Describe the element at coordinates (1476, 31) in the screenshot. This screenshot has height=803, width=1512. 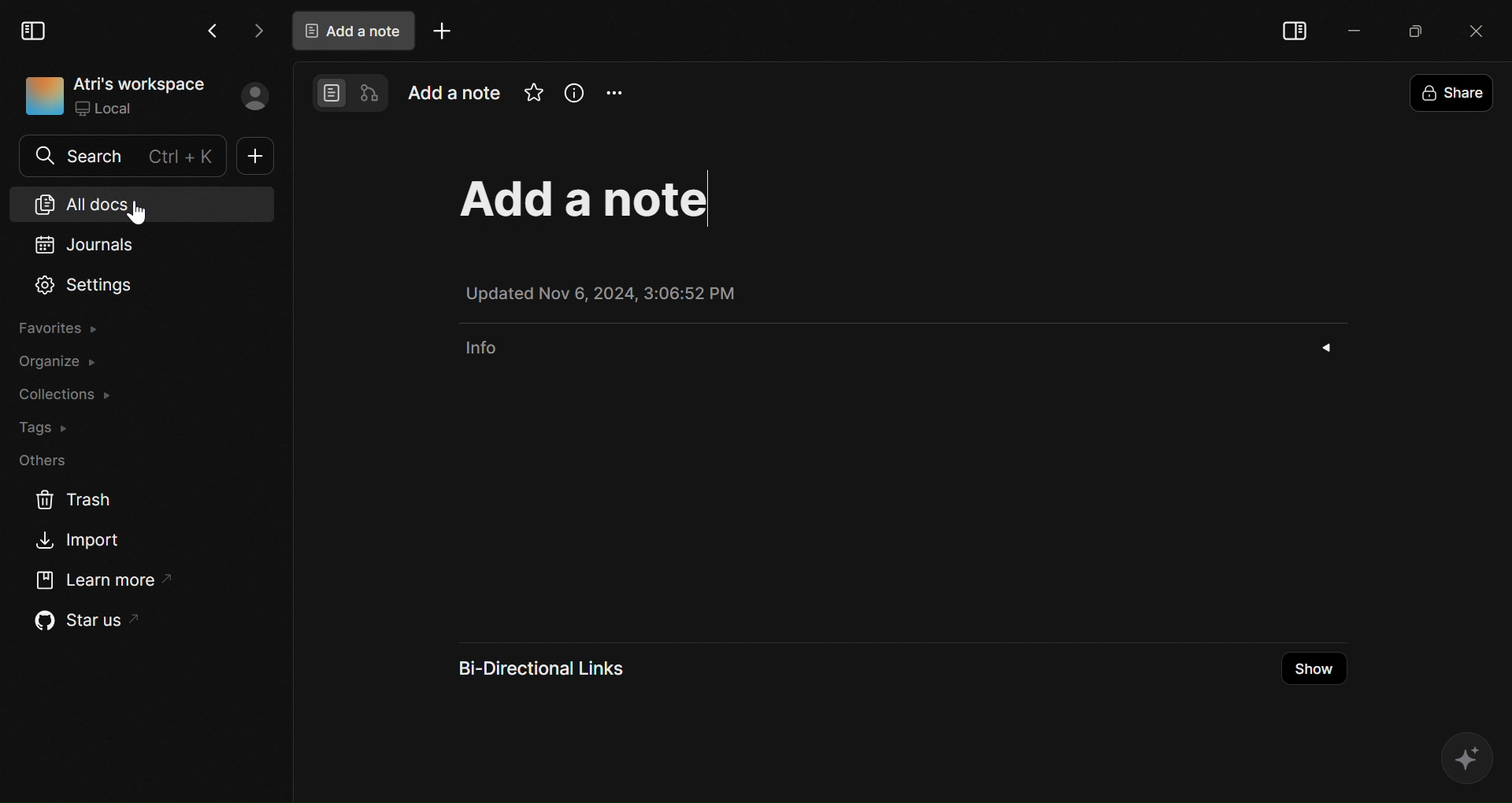
I see `close` at that location.